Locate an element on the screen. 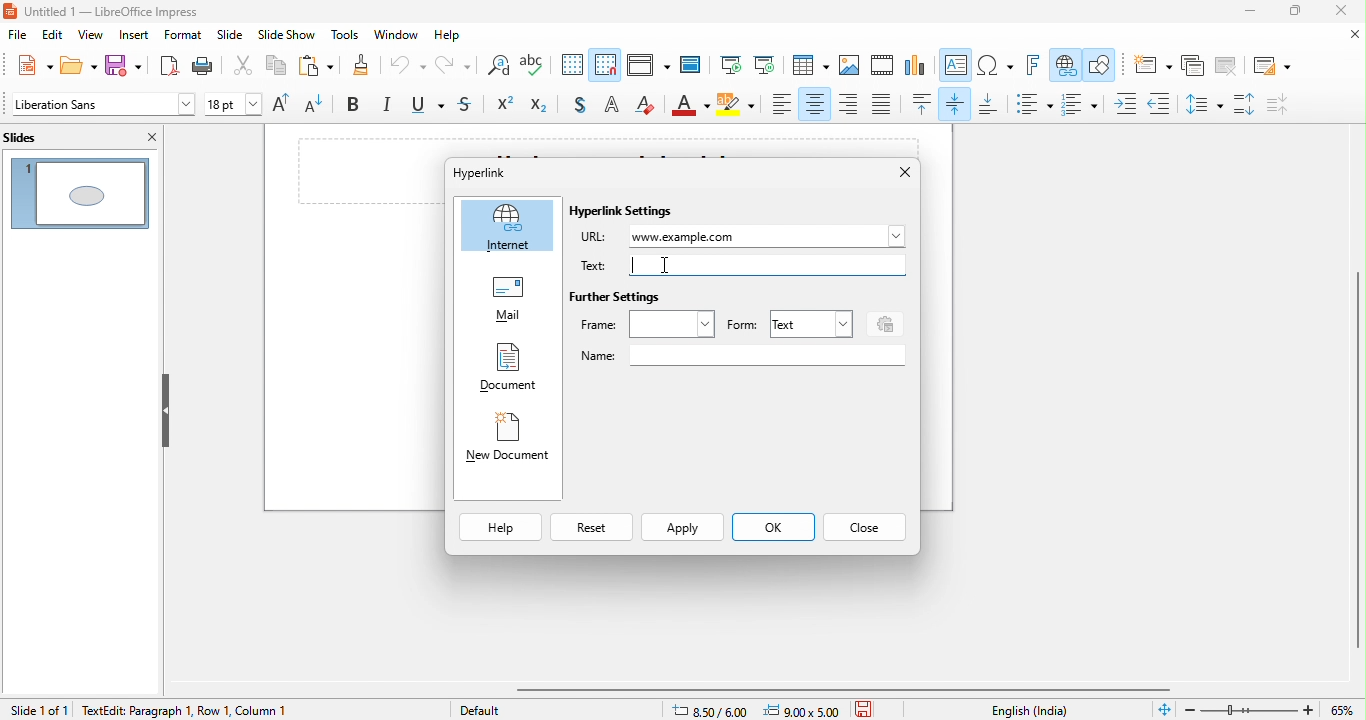 Image resolution: width=1366 pixels, height=720 pixels. special character is located at coordinates (996, 66).